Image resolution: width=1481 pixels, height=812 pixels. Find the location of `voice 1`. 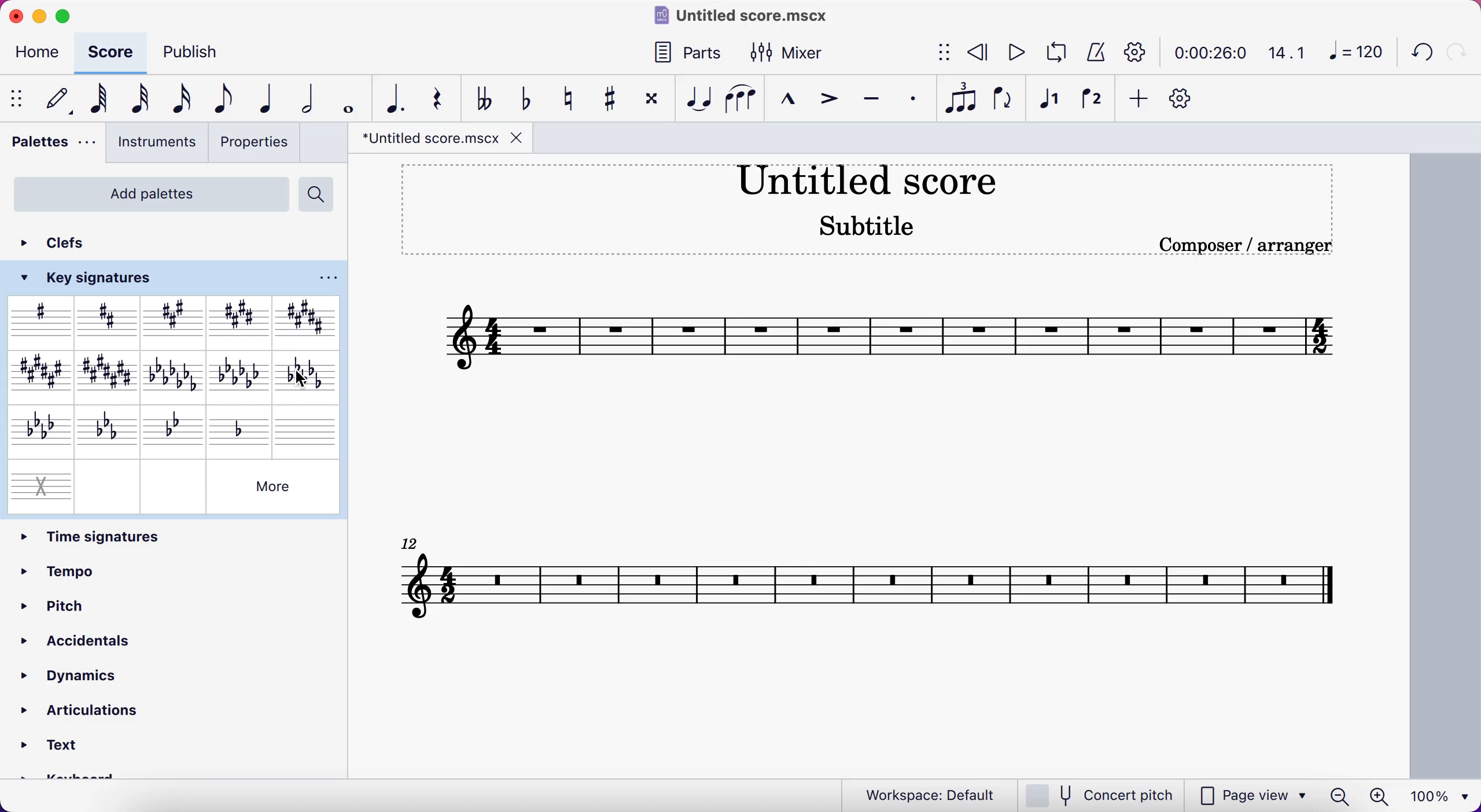

voice 1 is located at coordinates (1053, 102).